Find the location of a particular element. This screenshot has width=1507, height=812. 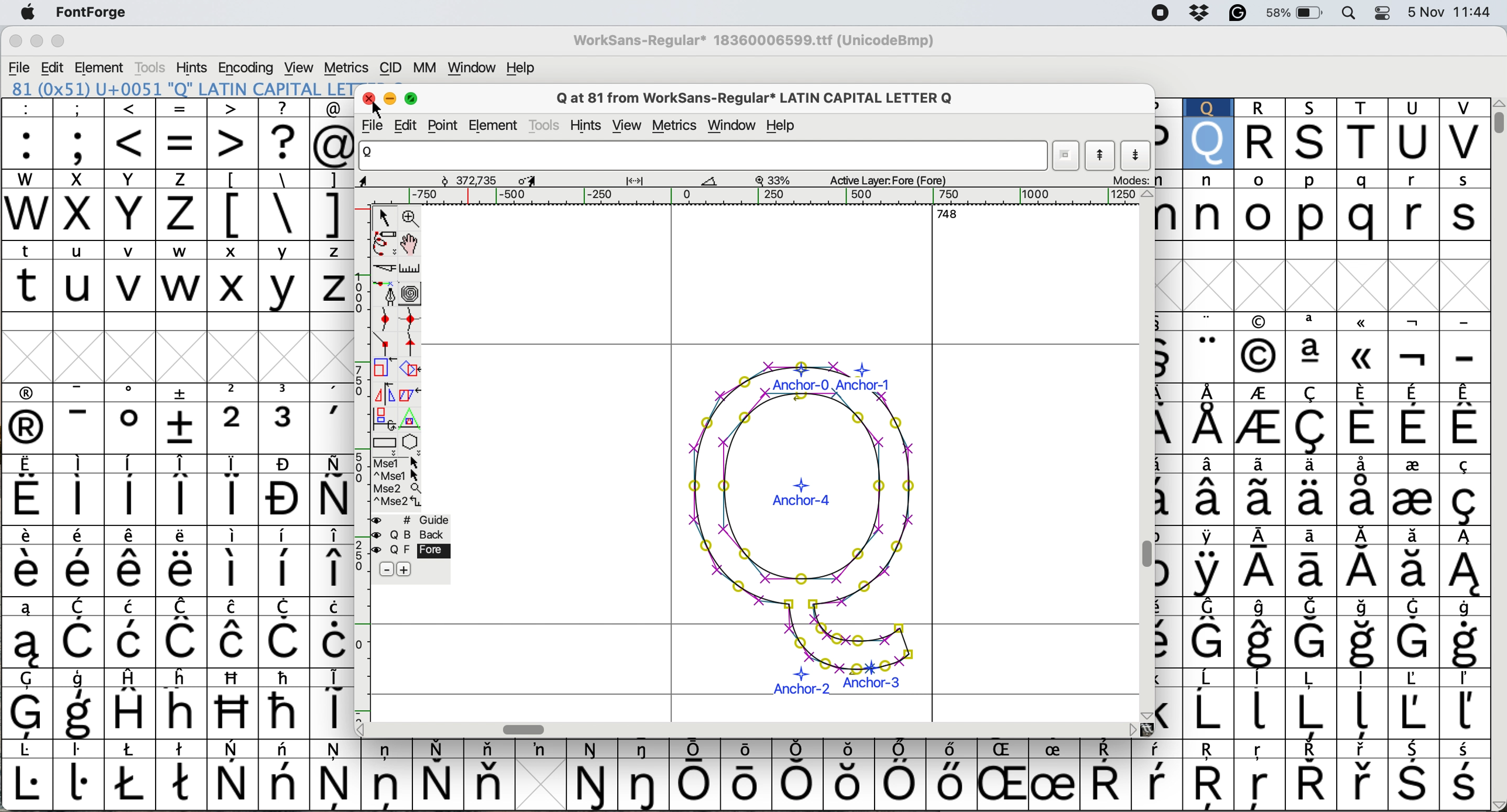

glyph details is located at coordinates (669, 182).